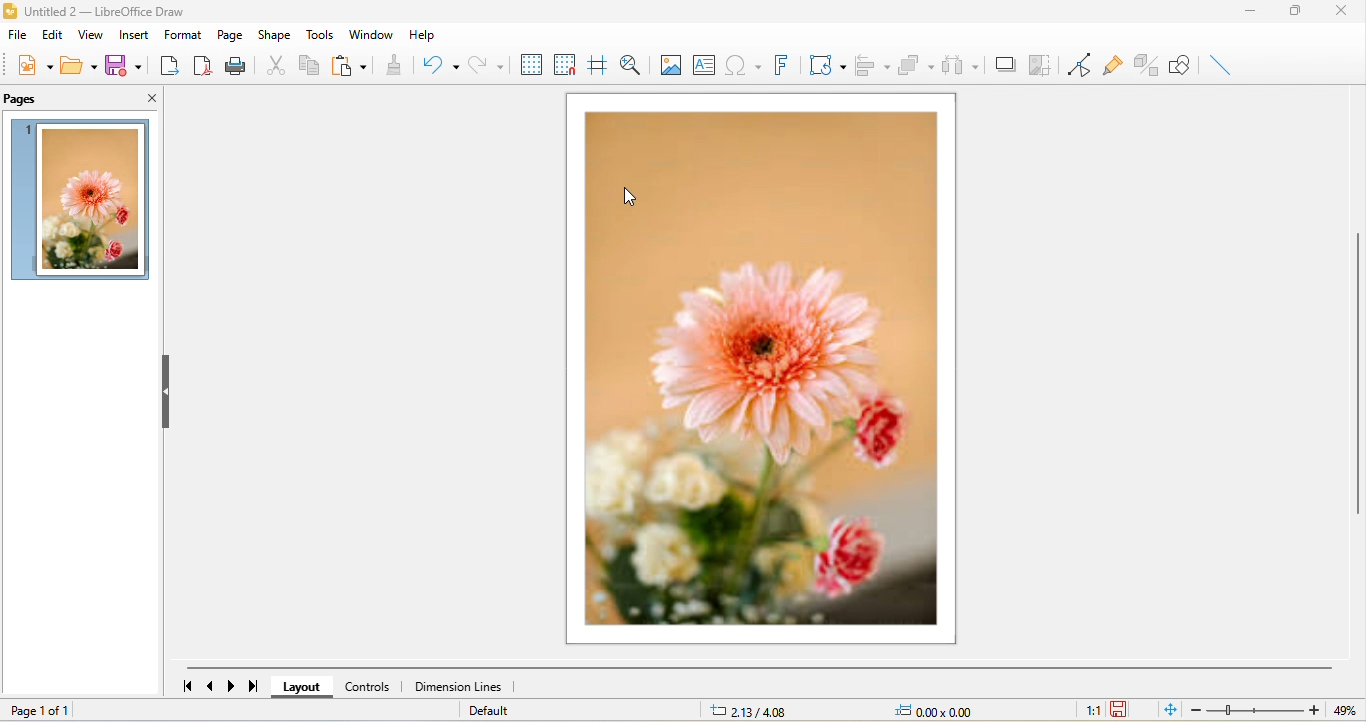 The height and width of the screenshot is (722, 1366). I want to click on next page, so click(229, 686).